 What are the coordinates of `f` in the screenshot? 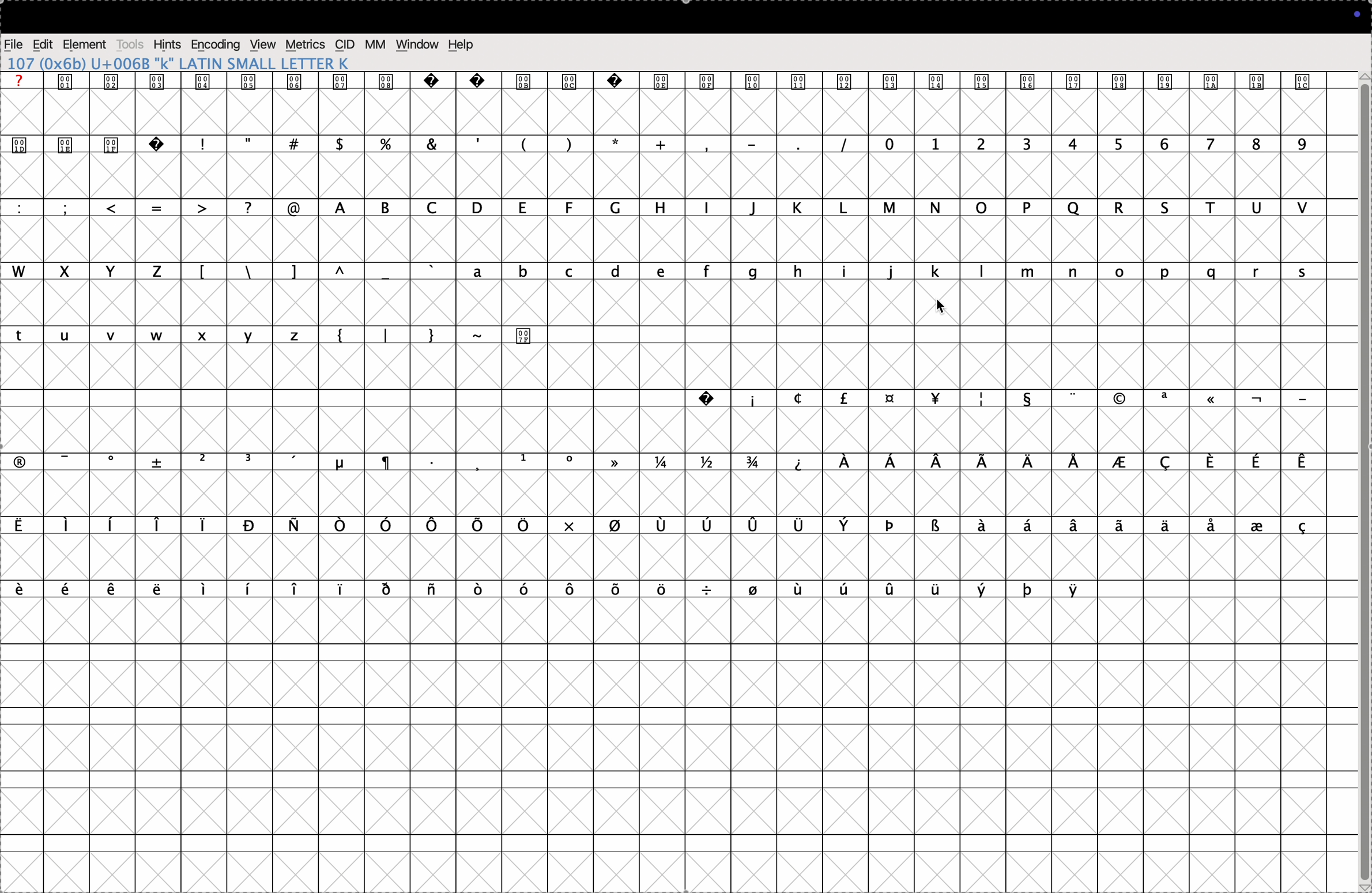 It's located at (707, 272).